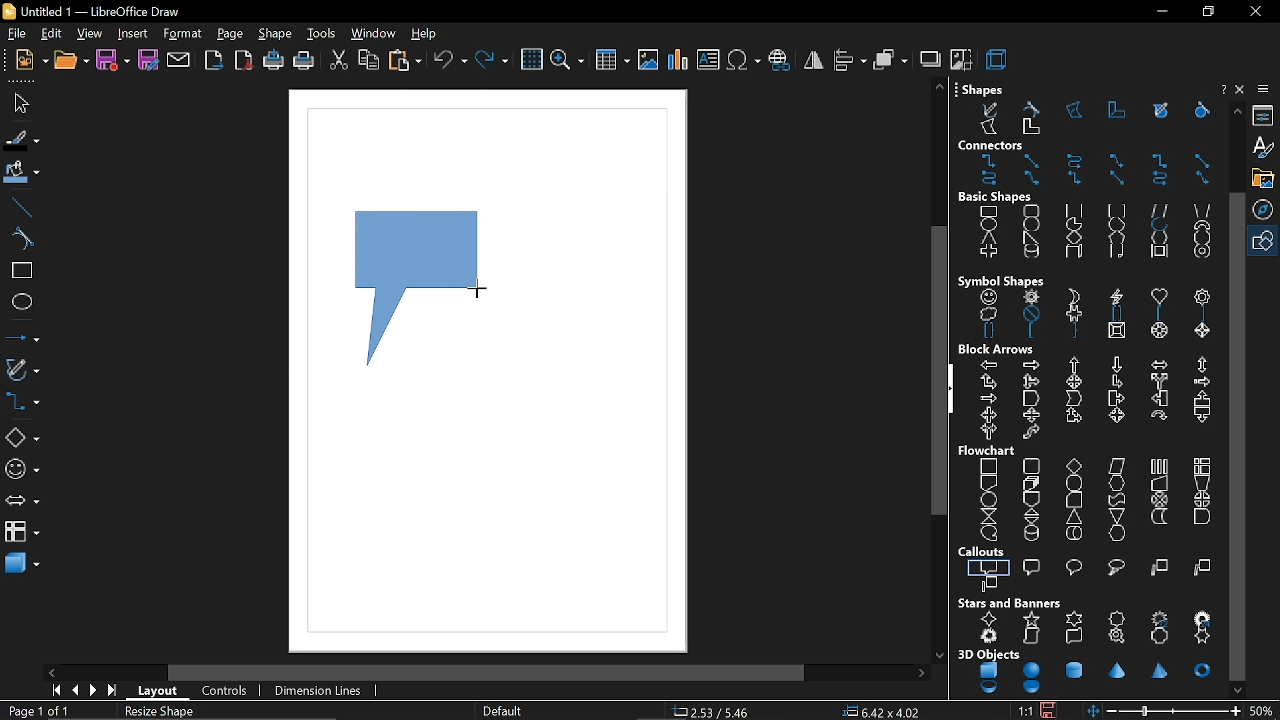 The image size is (1280, 720). I want to click on left arrow, so click(990, 364).